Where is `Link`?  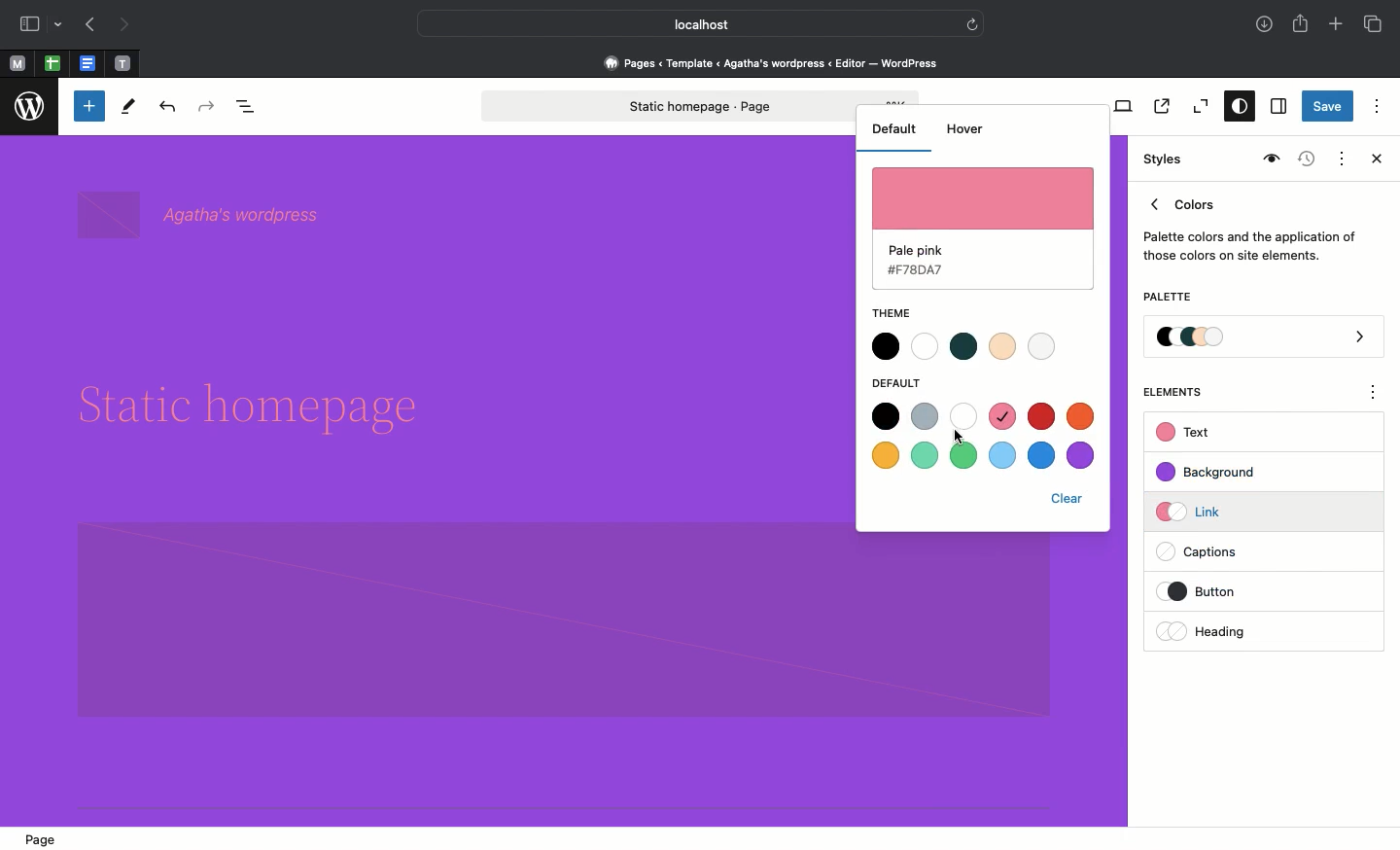 Link is located at coordinates (1197, 511).